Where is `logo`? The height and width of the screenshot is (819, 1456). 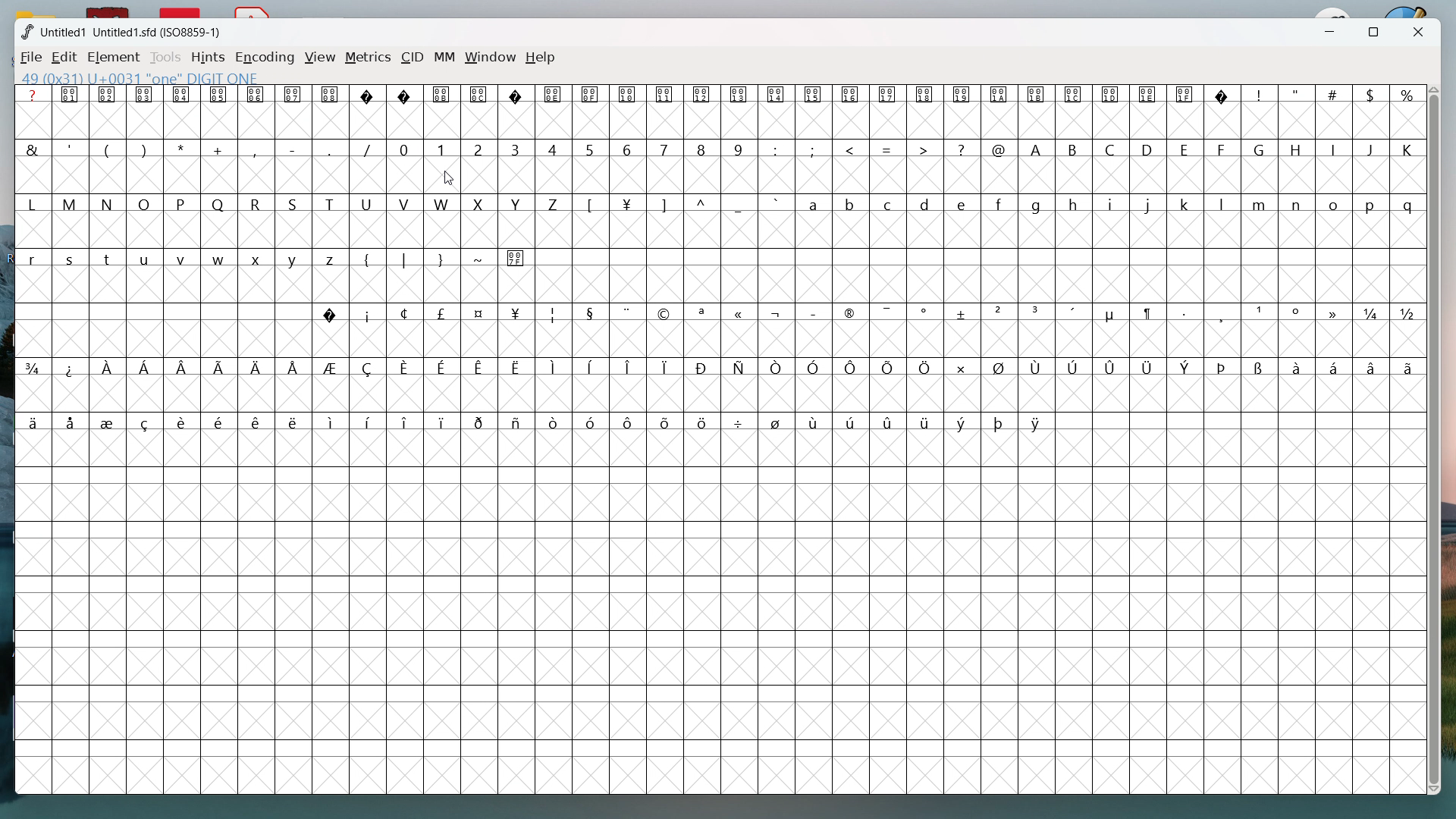 logo is located at coordinates (26, 32).